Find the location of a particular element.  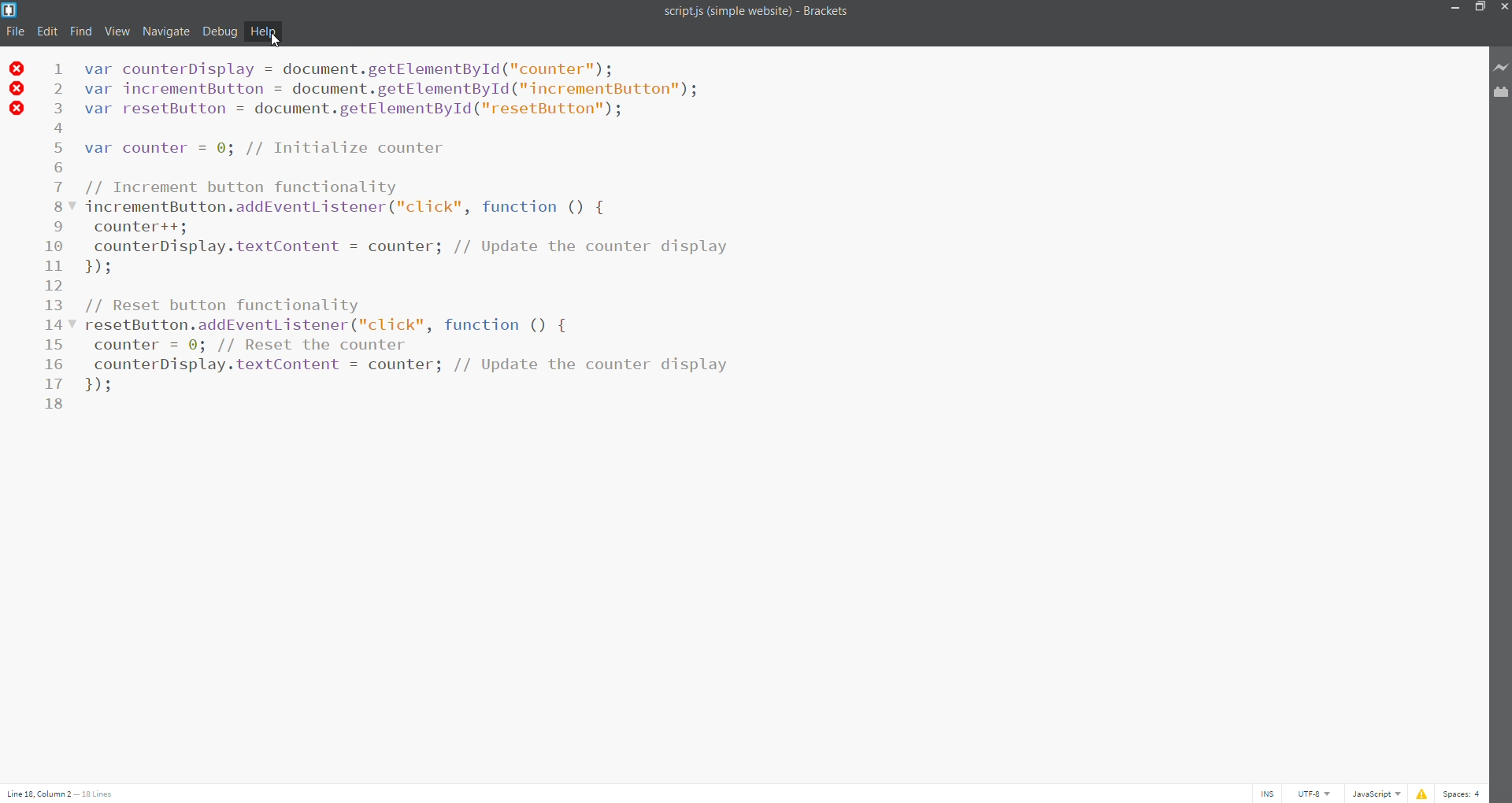

extension manager is located at coordinates (1498, 95).